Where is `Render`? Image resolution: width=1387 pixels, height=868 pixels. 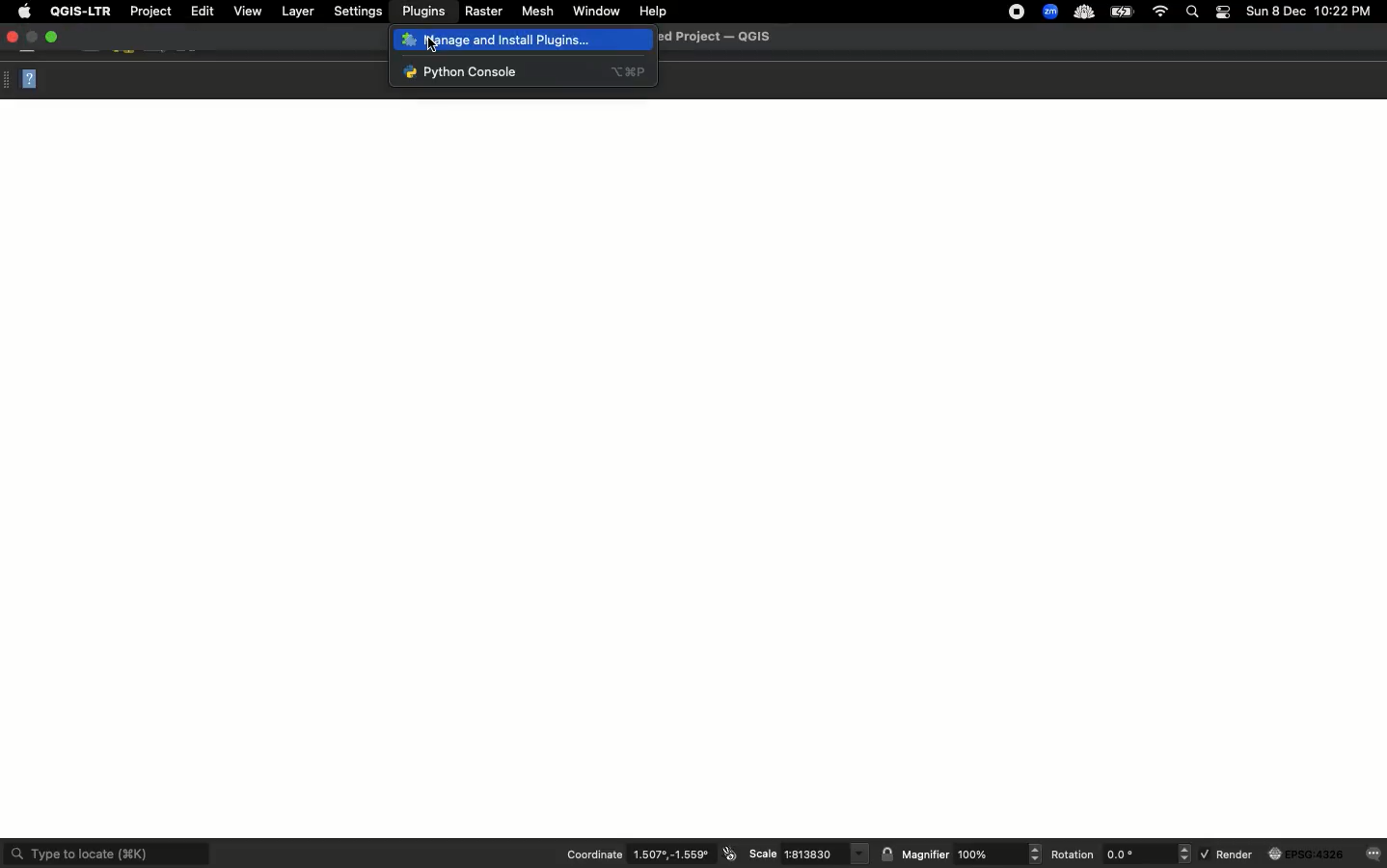
Render is located at coordinates (1227, 853).